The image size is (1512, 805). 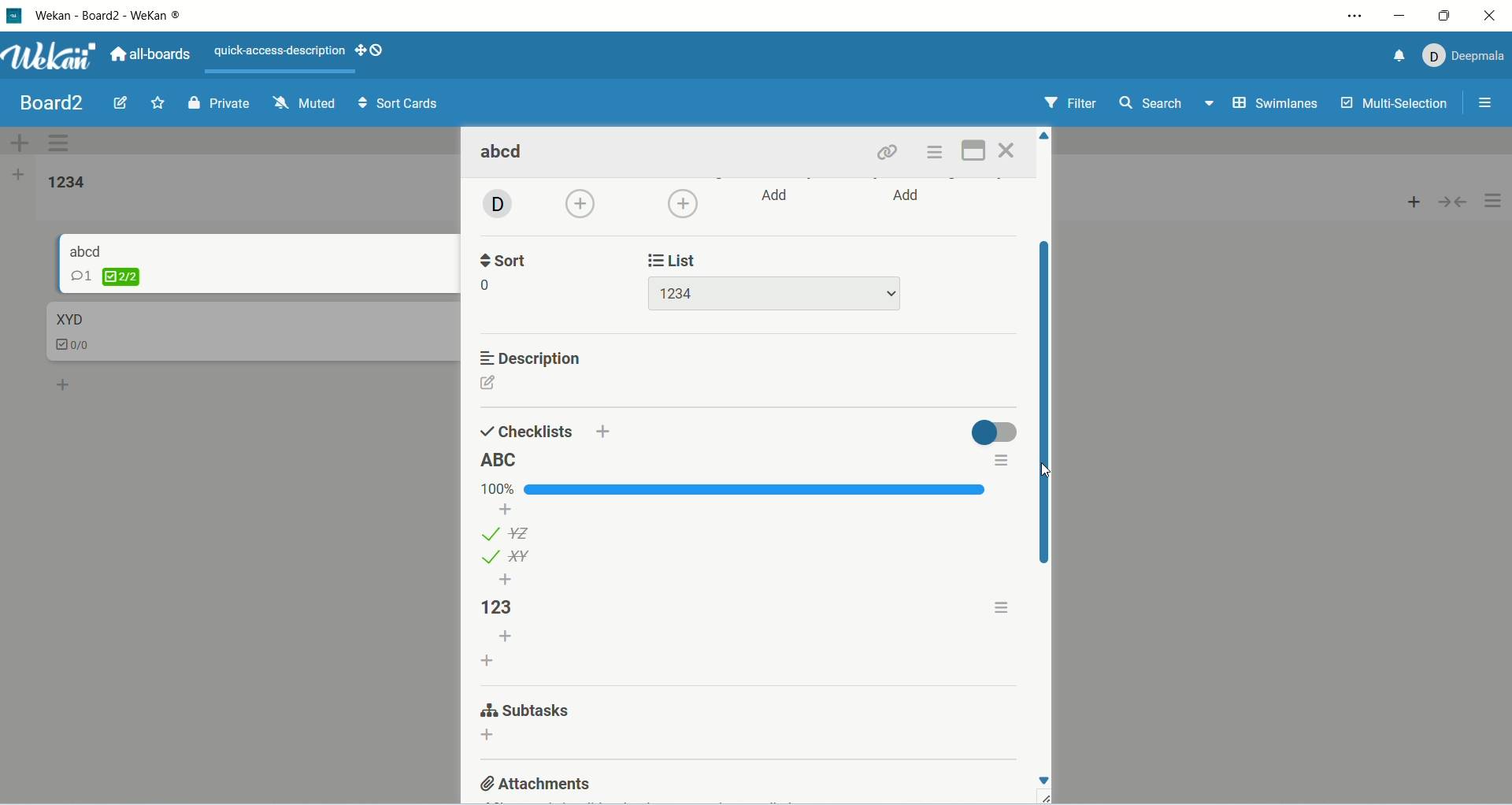 I want to click on link, so click(x=890, y=153).